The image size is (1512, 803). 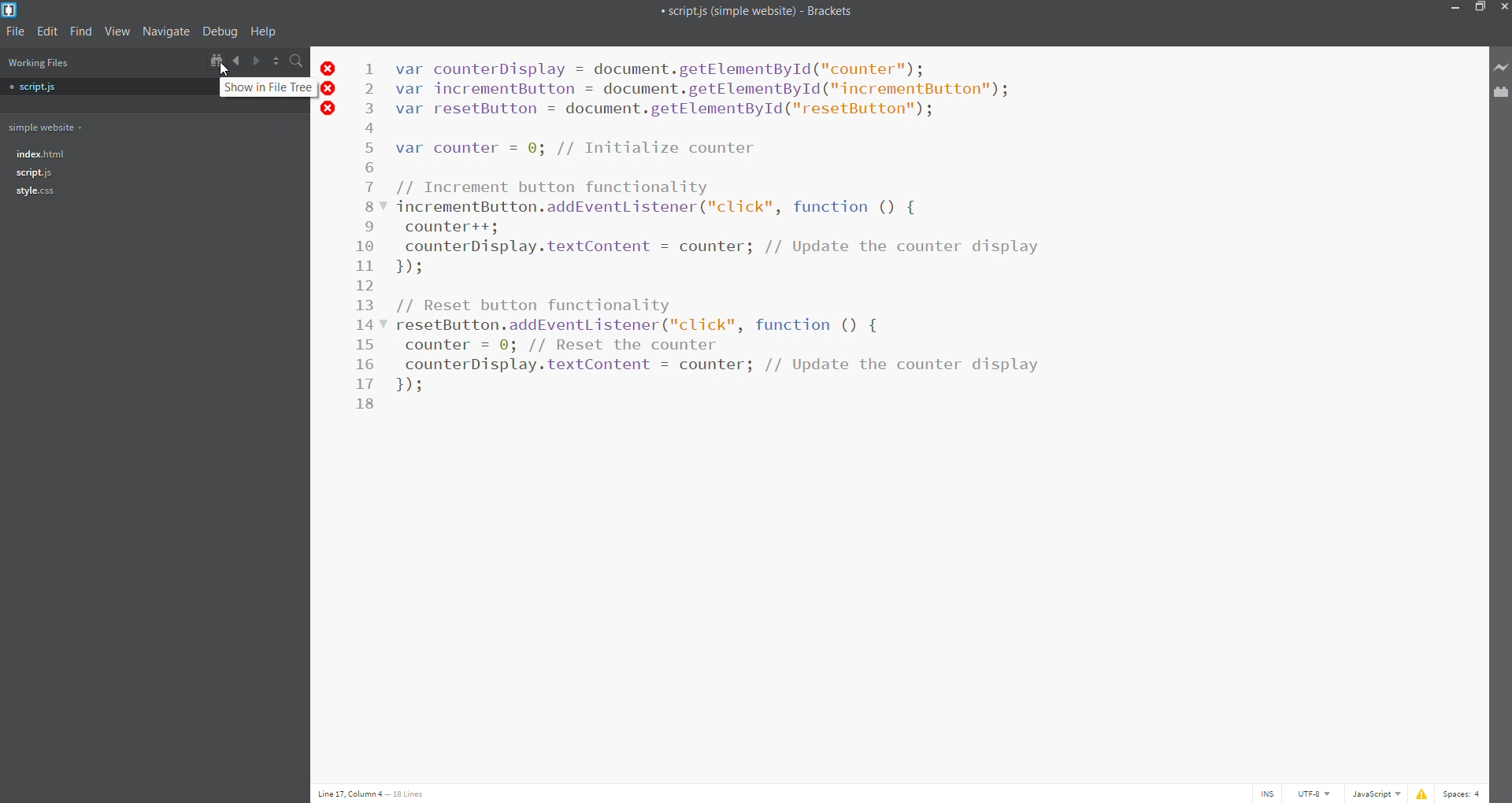 What do you see at coordinates (276, 61) in the screenshot?
I see `split horizontally/vertically` at bounding box center [276, 61].